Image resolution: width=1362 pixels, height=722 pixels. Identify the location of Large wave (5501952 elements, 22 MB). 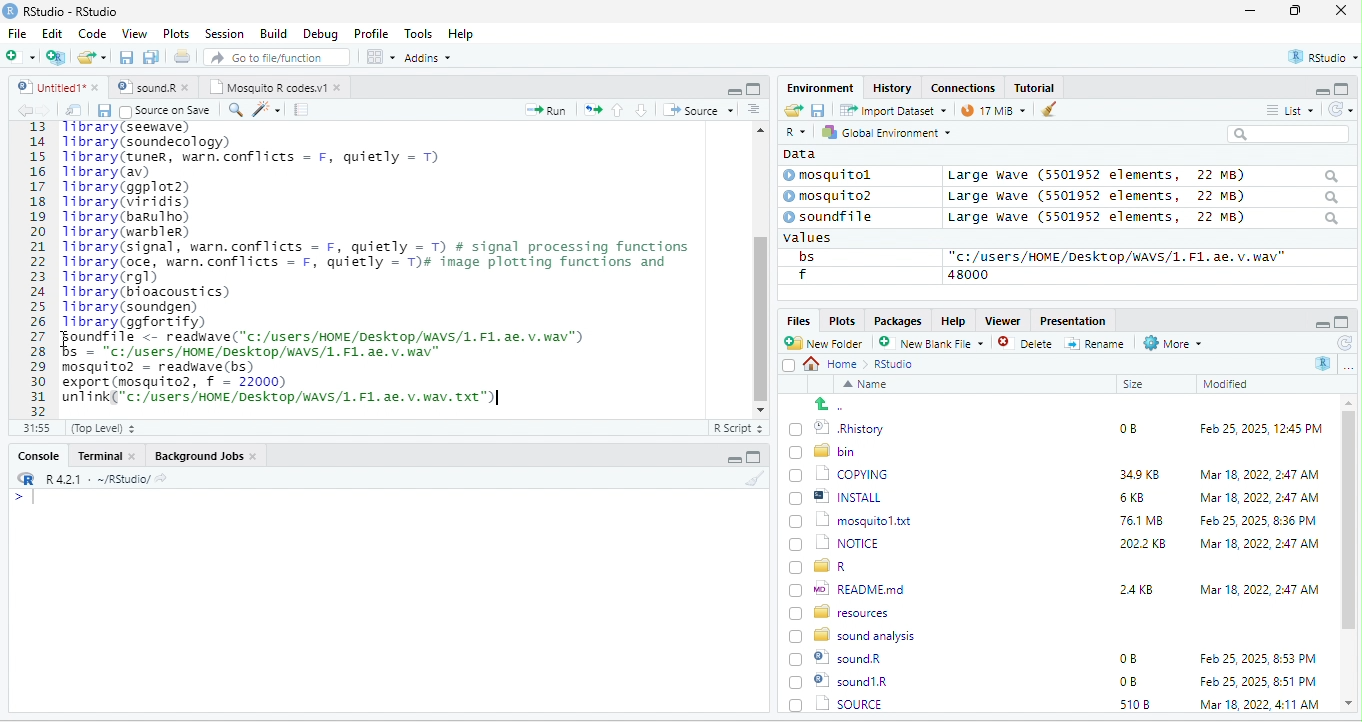
(1144, 219).